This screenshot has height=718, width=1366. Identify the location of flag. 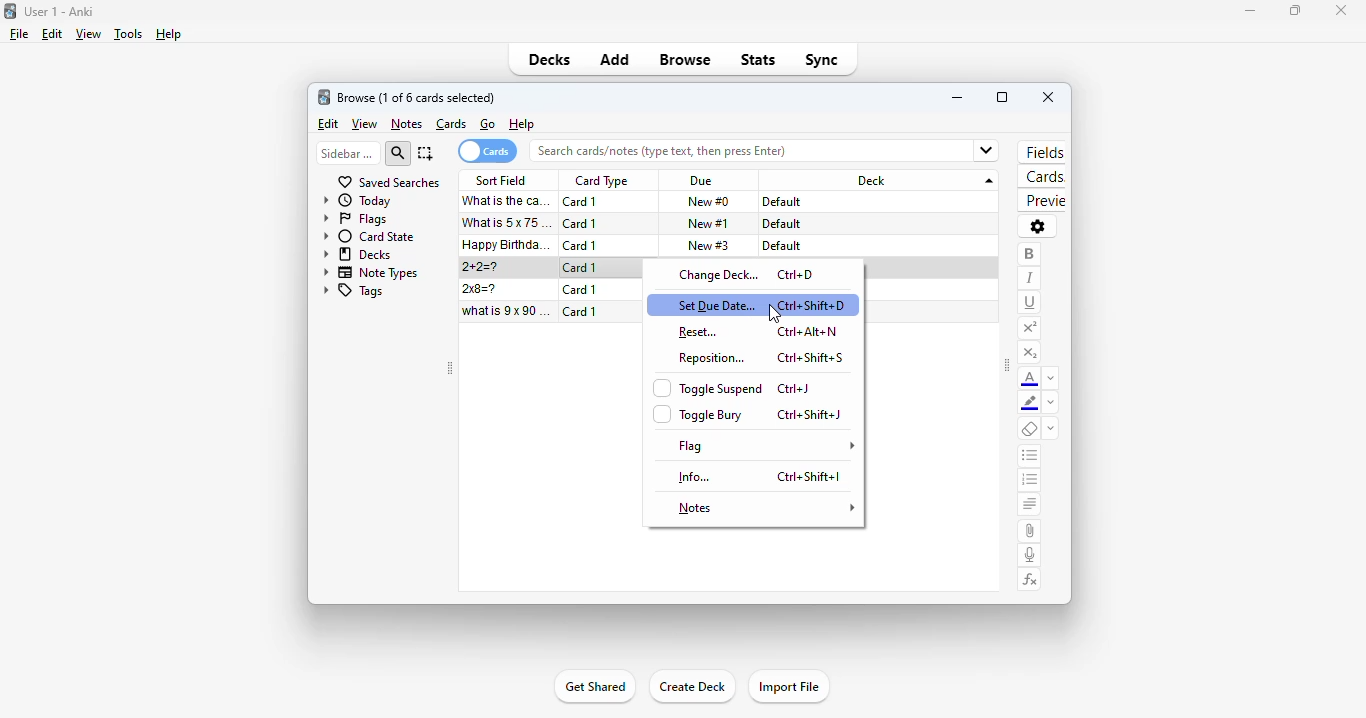
(765, 446).